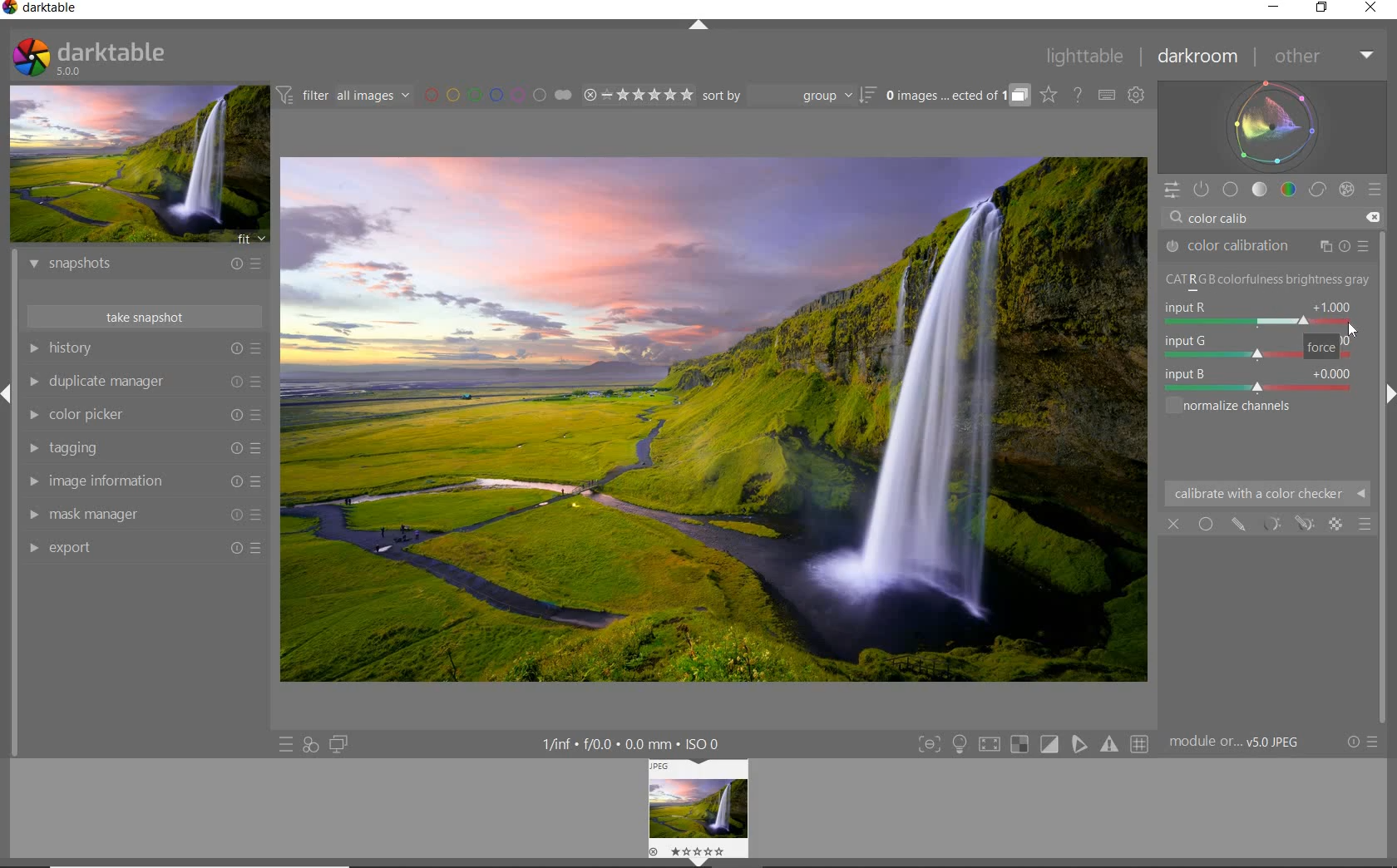  I want to click on INPUT R, so click(1256, 313).